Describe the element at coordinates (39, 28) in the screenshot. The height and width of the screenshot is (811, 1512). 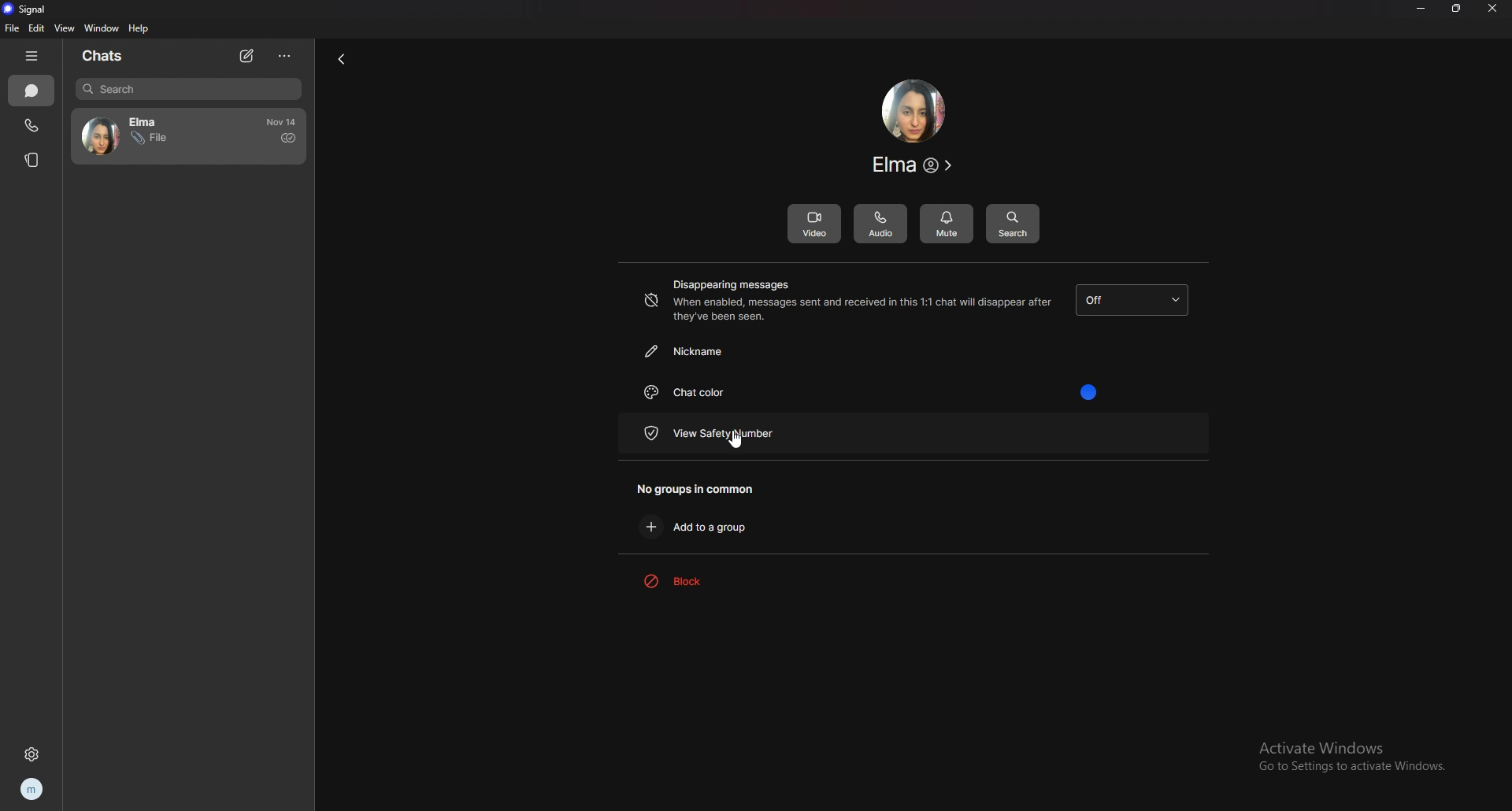
I see `edit` at that location.